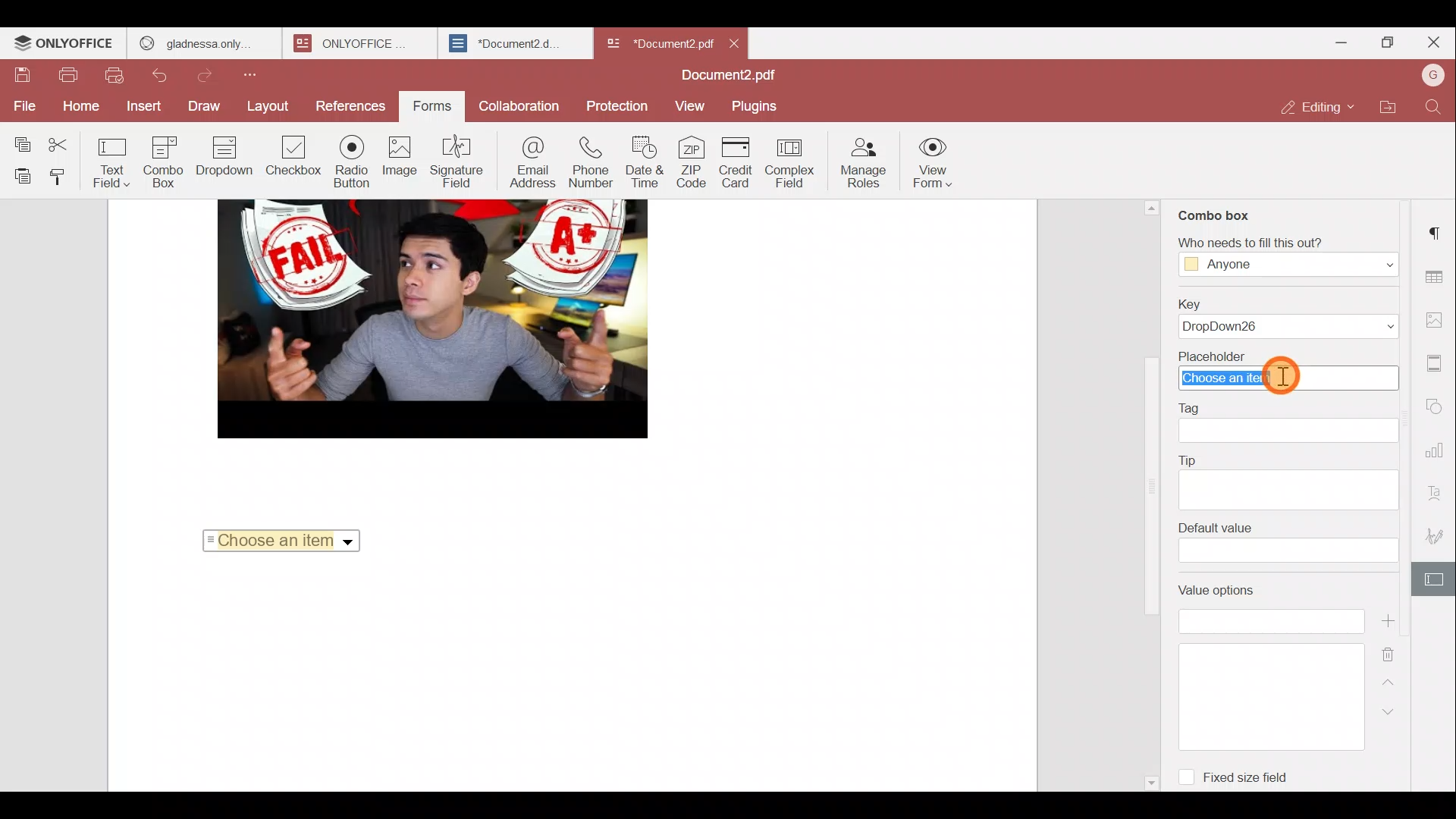 The image size is (1456, 819). I want to click on Image, so click(400, 159).